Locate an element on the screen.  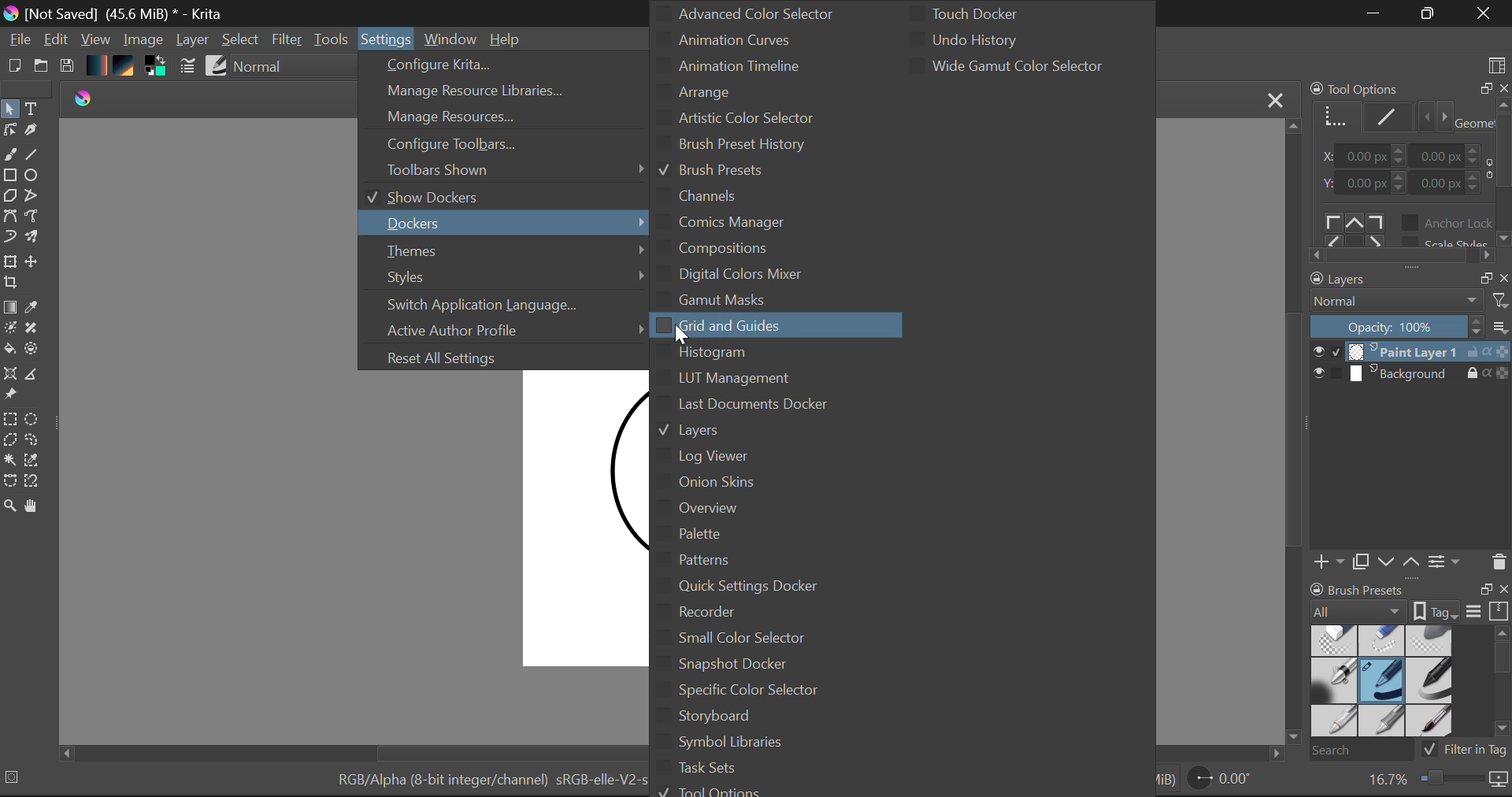
Layers Docket Tab is located at coordinates (1409, 280).